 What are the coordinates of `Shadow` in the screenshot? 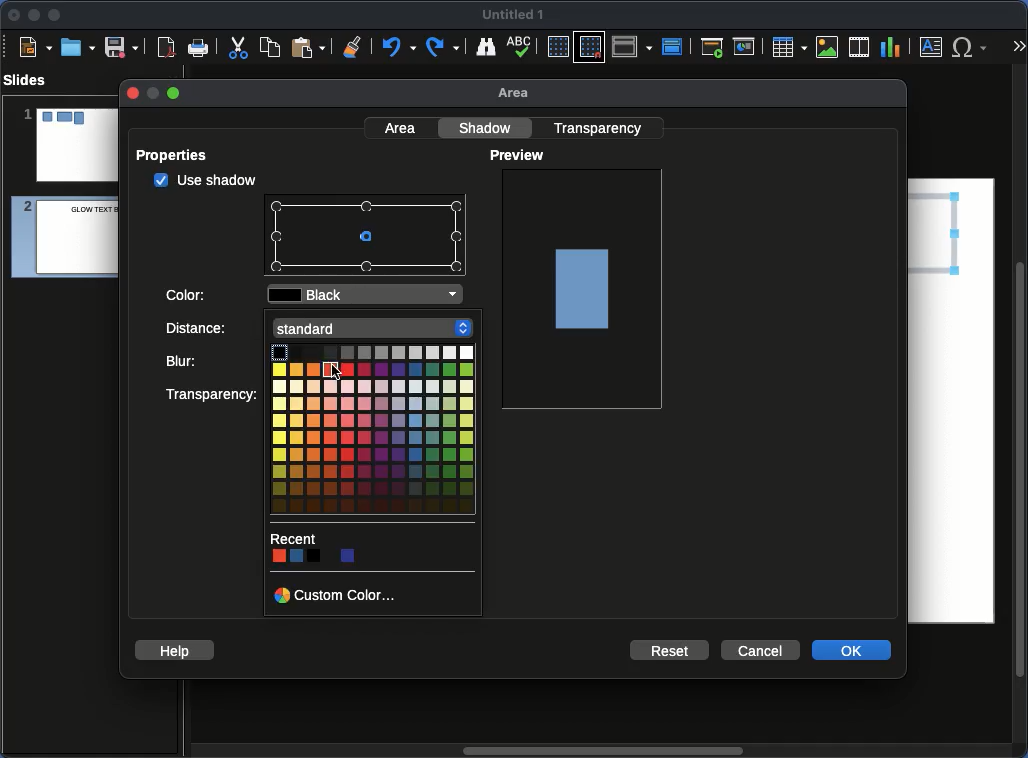 It's located at (488, 127).